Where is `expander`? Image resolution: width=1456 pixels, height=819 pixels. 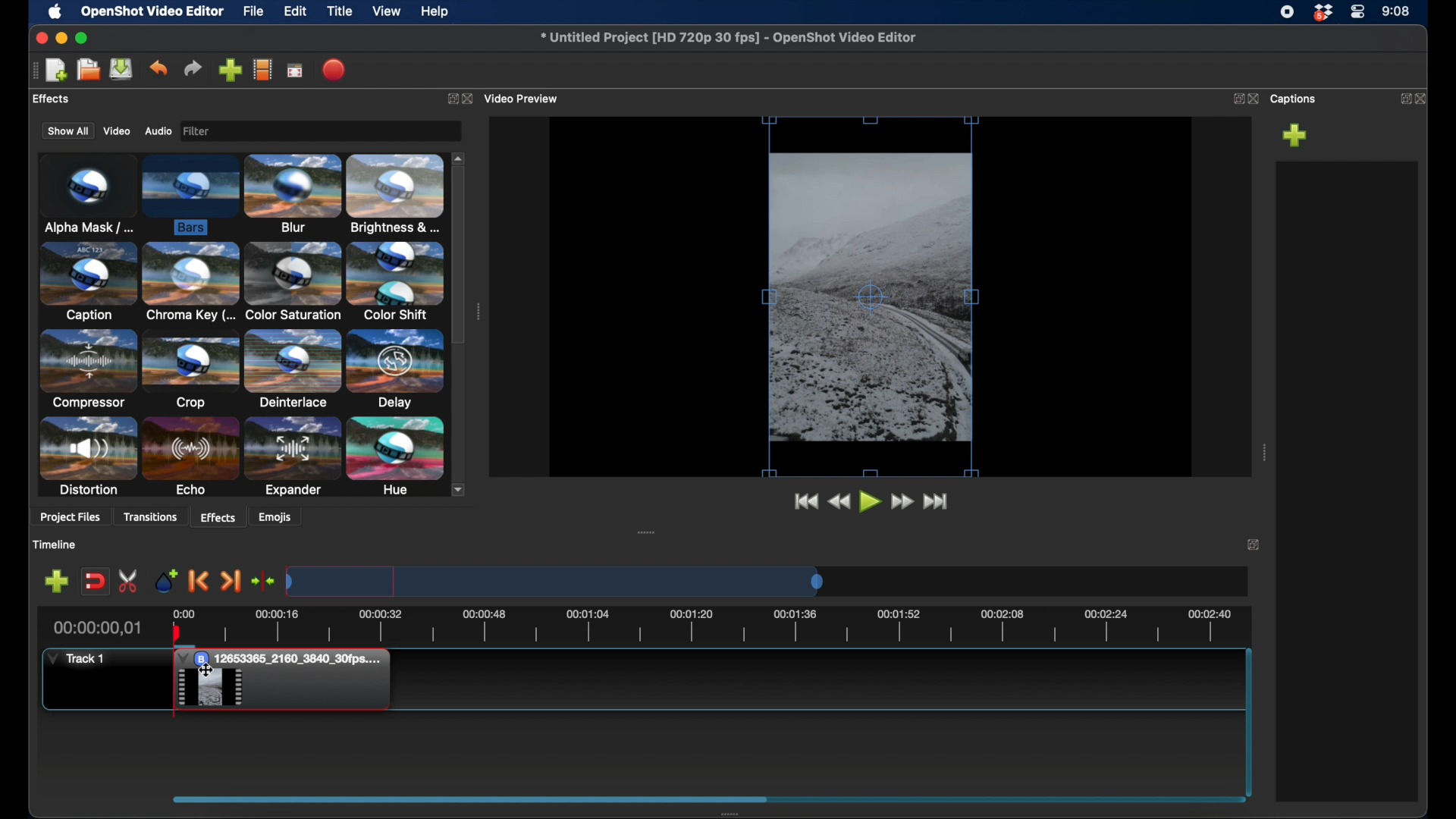
expander is located at coordinates (291, 457).